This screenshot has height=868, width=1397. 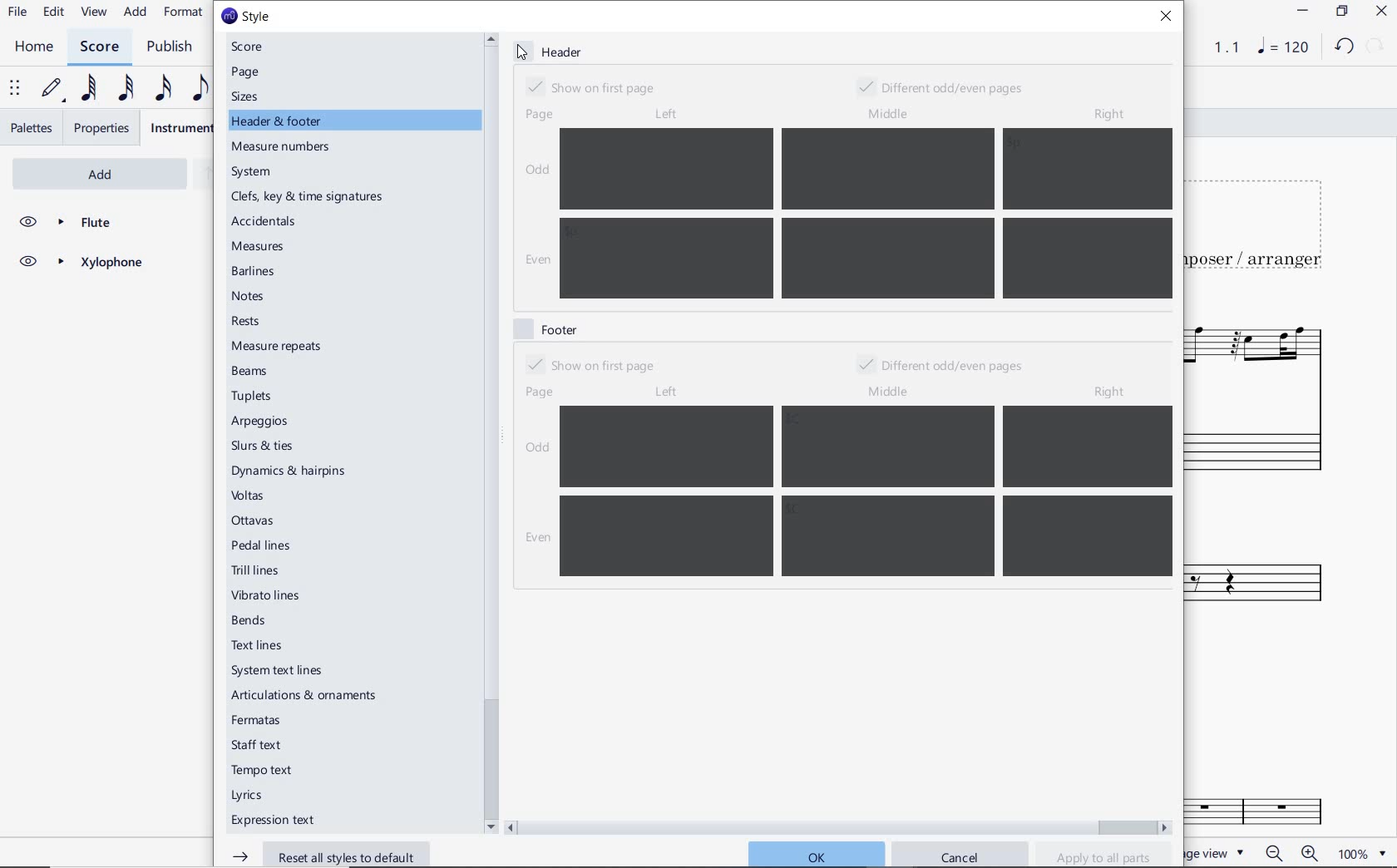 I want to click on RESTORE DOWN, so click(x=1341, y=12).